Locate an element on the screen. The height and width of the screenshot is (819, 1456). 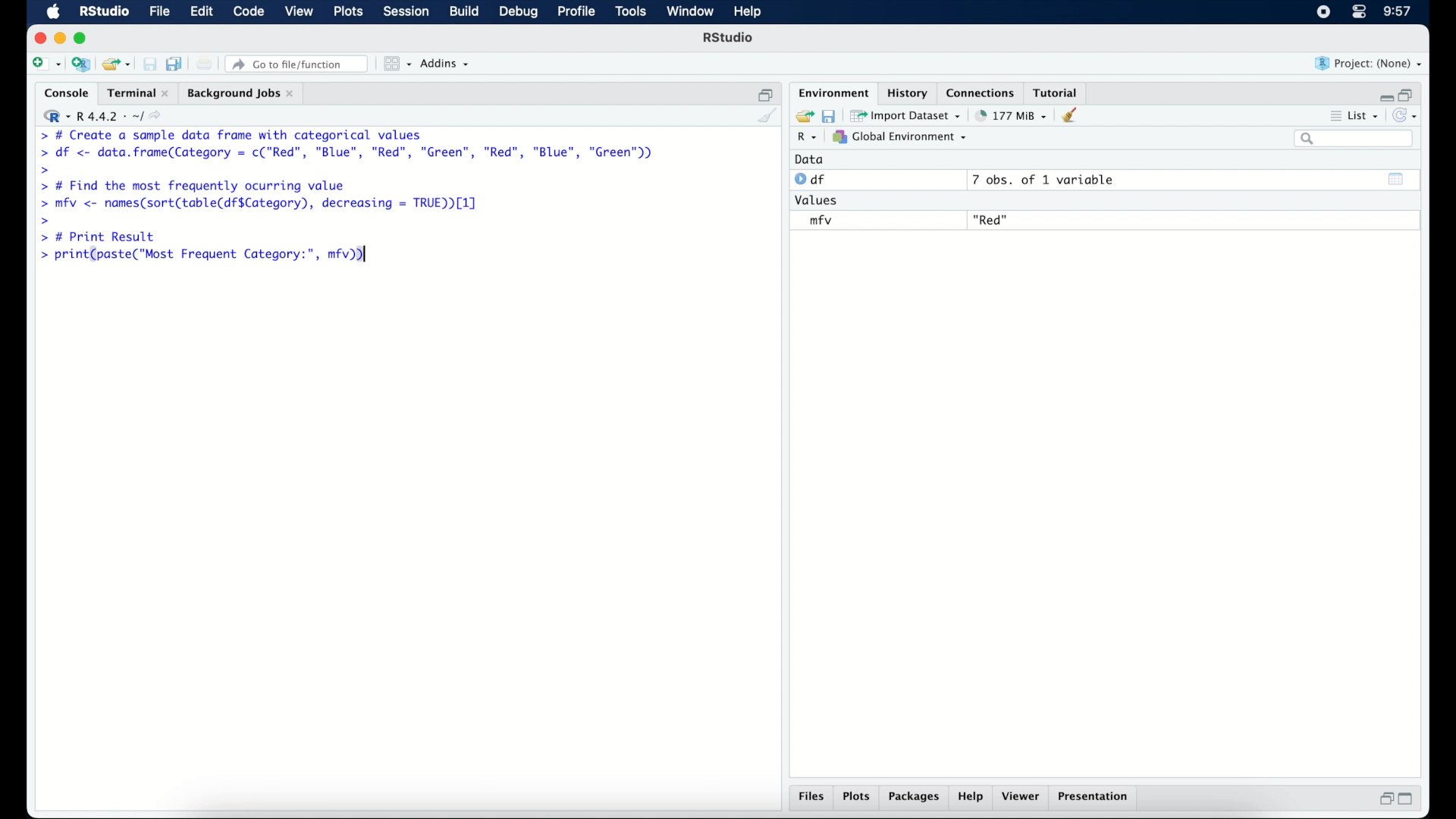
more options is located at coordinates (1333, 115).